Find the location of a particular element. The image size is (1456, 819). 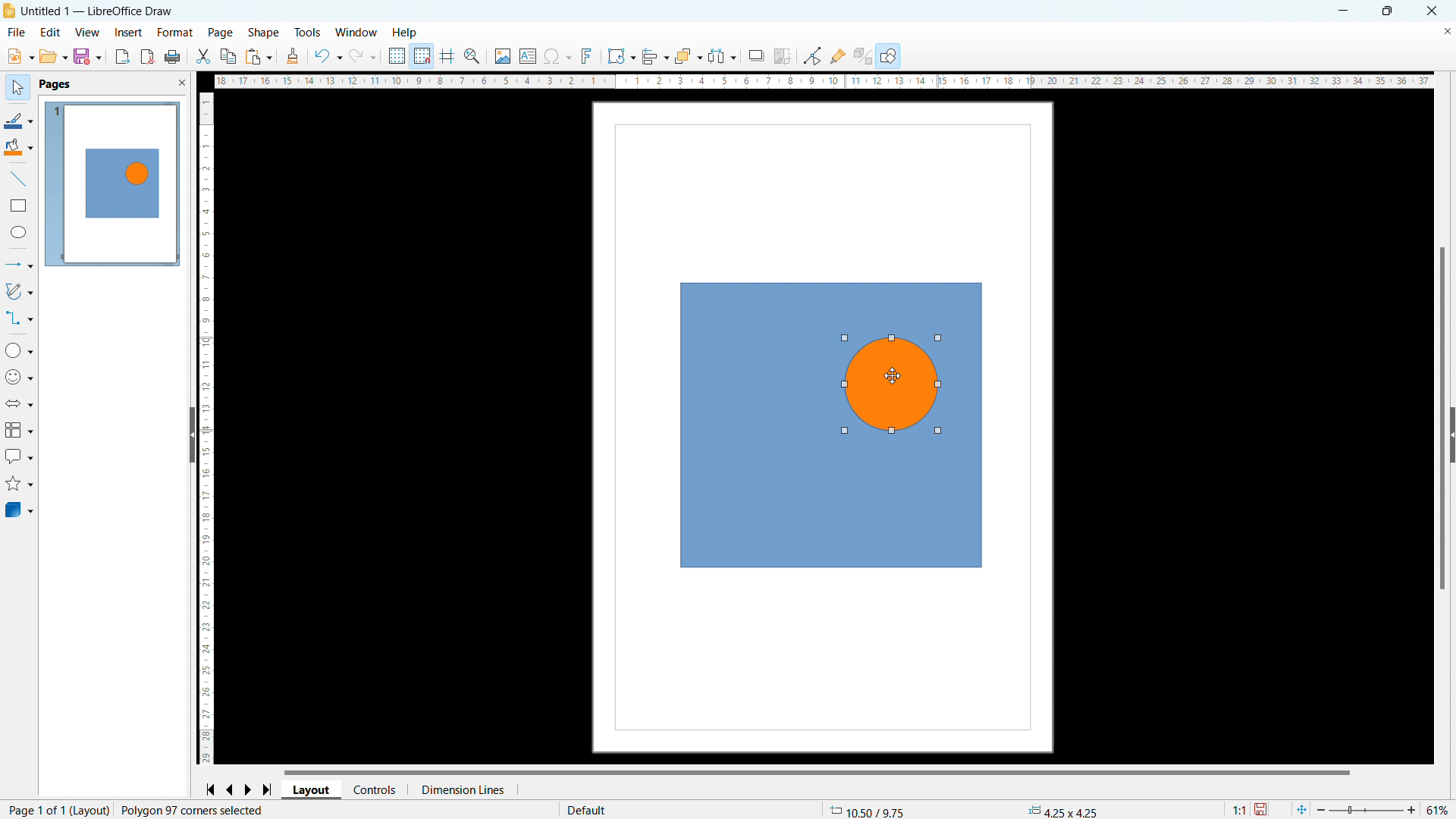

paste is located at coordinates (259, 56).